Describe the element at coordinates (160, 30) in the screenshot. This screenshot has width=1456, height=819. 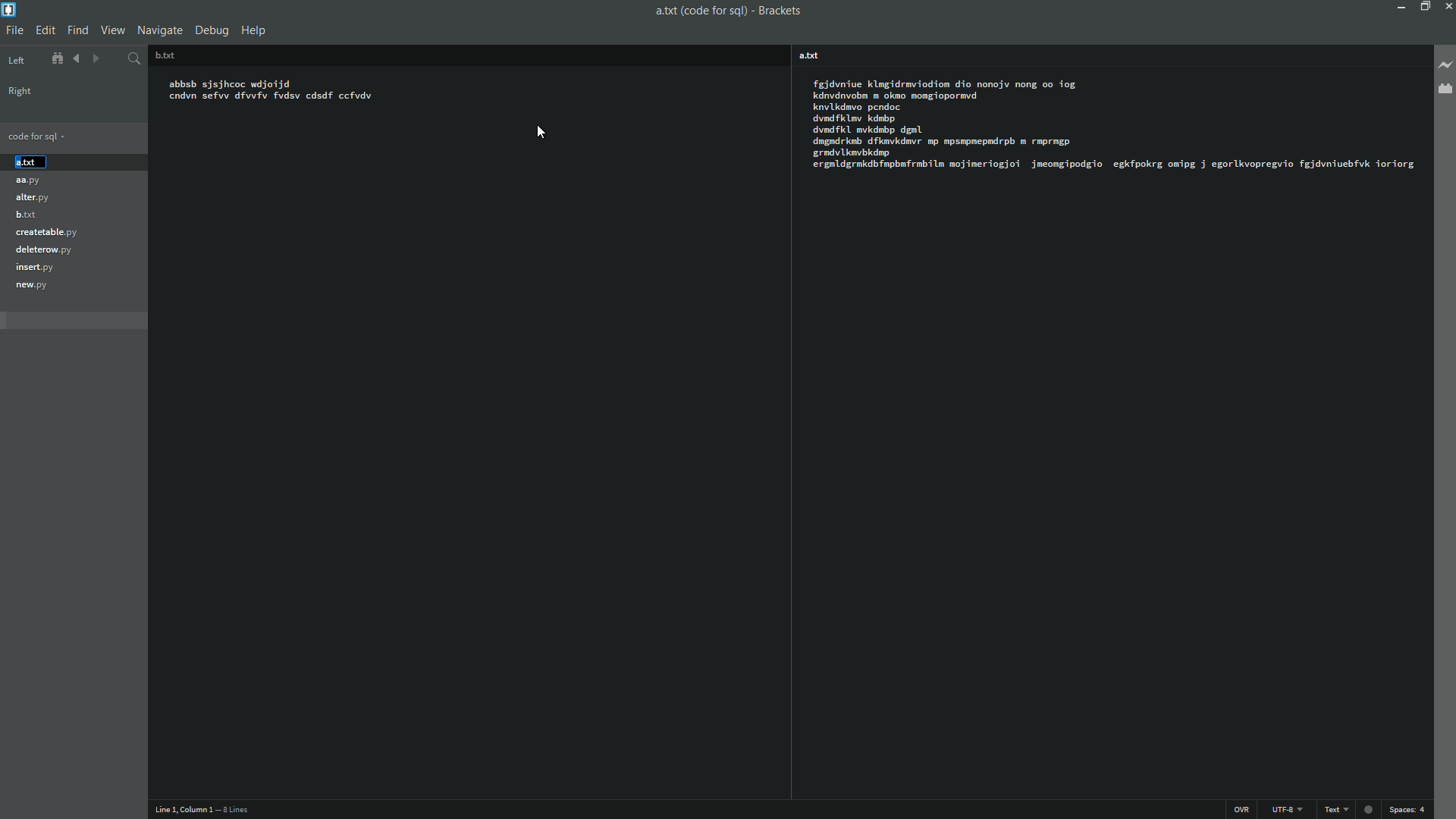
I see `Navigate menu` at that location.